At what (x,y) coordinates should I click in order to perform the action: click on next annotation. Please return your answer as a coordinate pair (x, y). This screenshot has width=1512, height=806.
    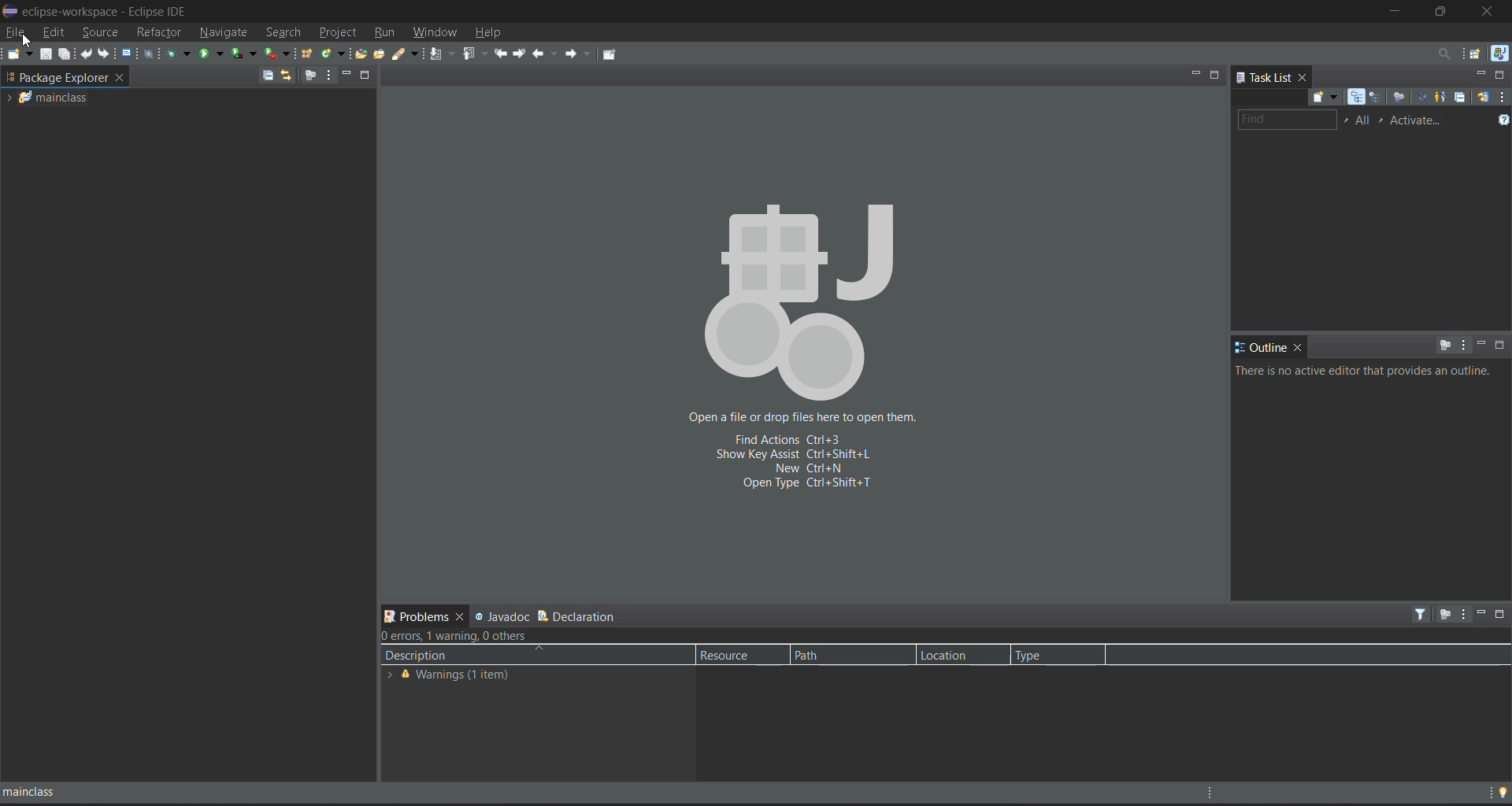
    Looking at the image, I should click on (442, 53).